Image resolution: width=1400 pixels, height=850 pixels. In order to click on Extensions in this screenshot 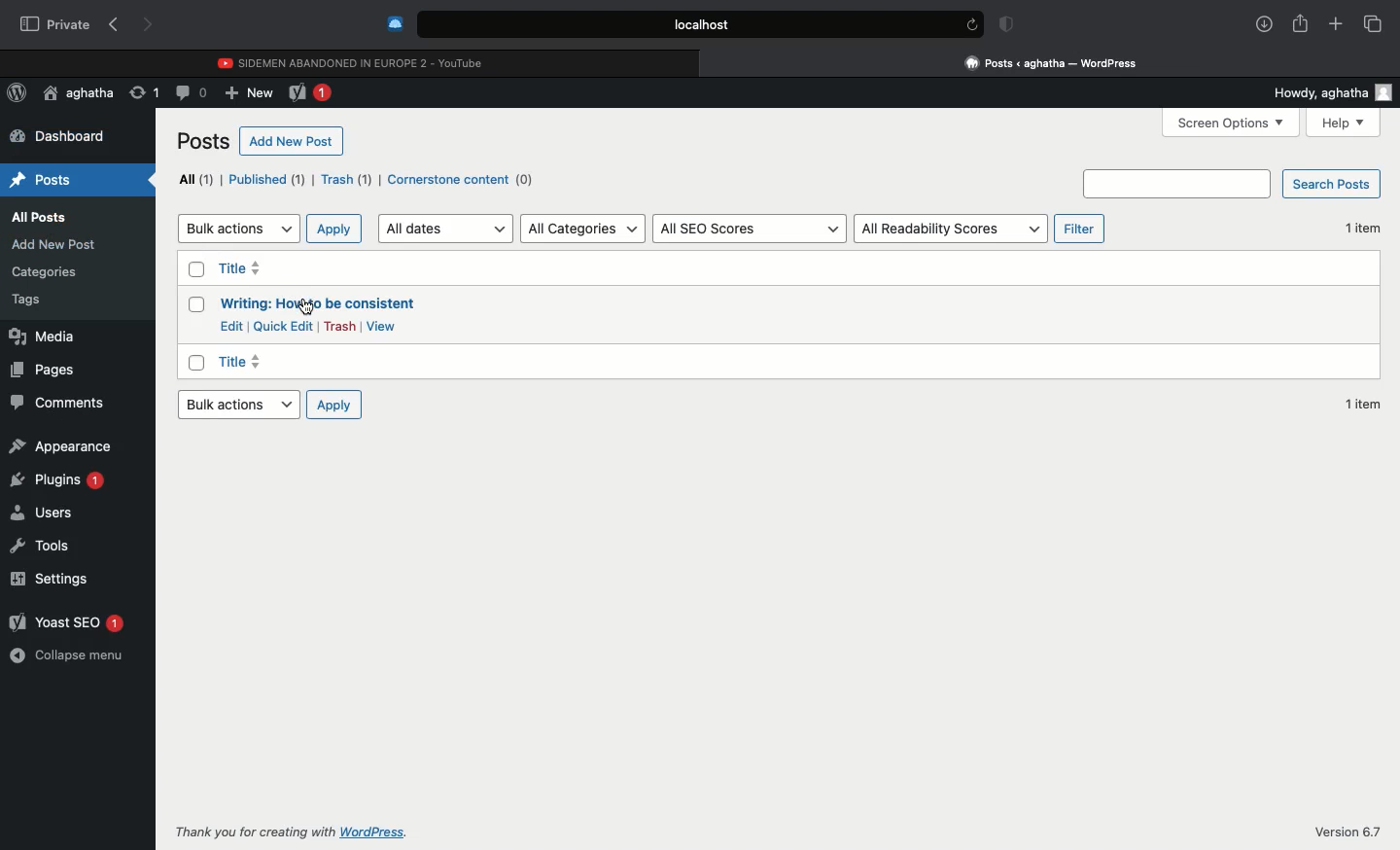, I will do `click(393, 23)`.